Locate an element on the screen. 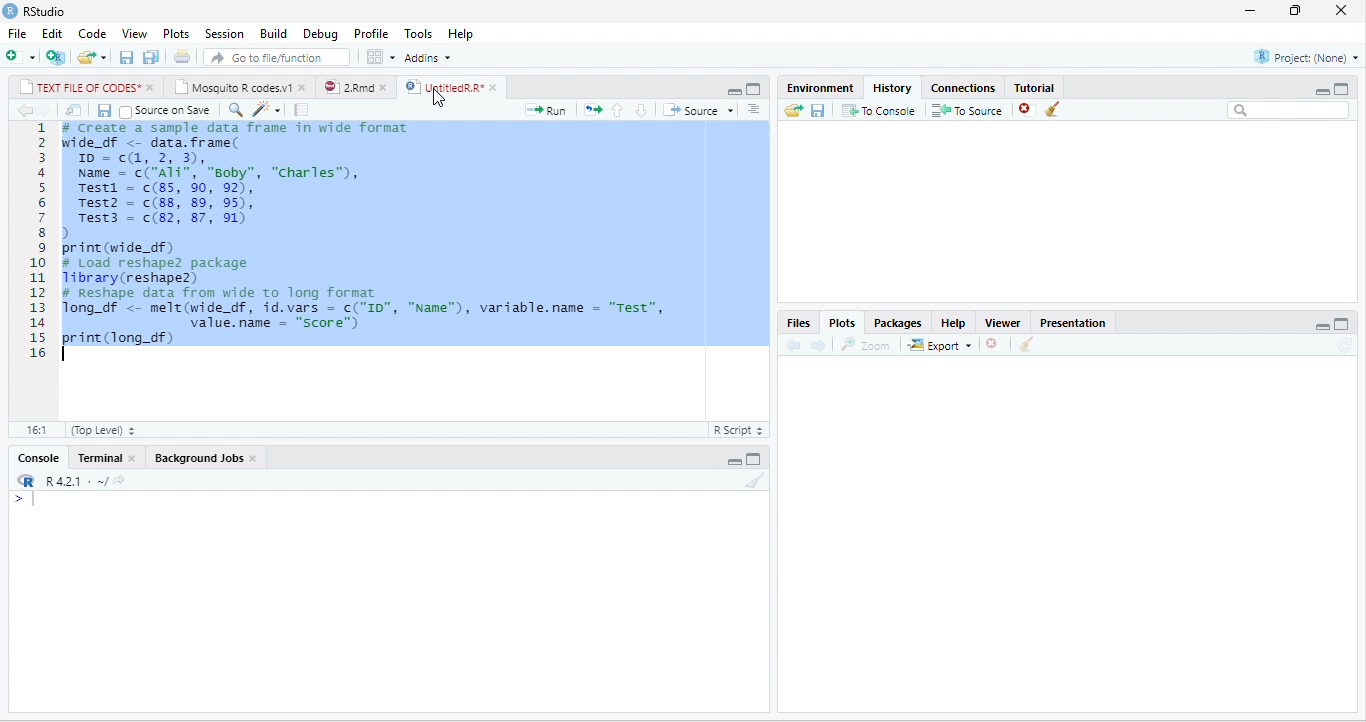  save is located at coordinates (819, 109).